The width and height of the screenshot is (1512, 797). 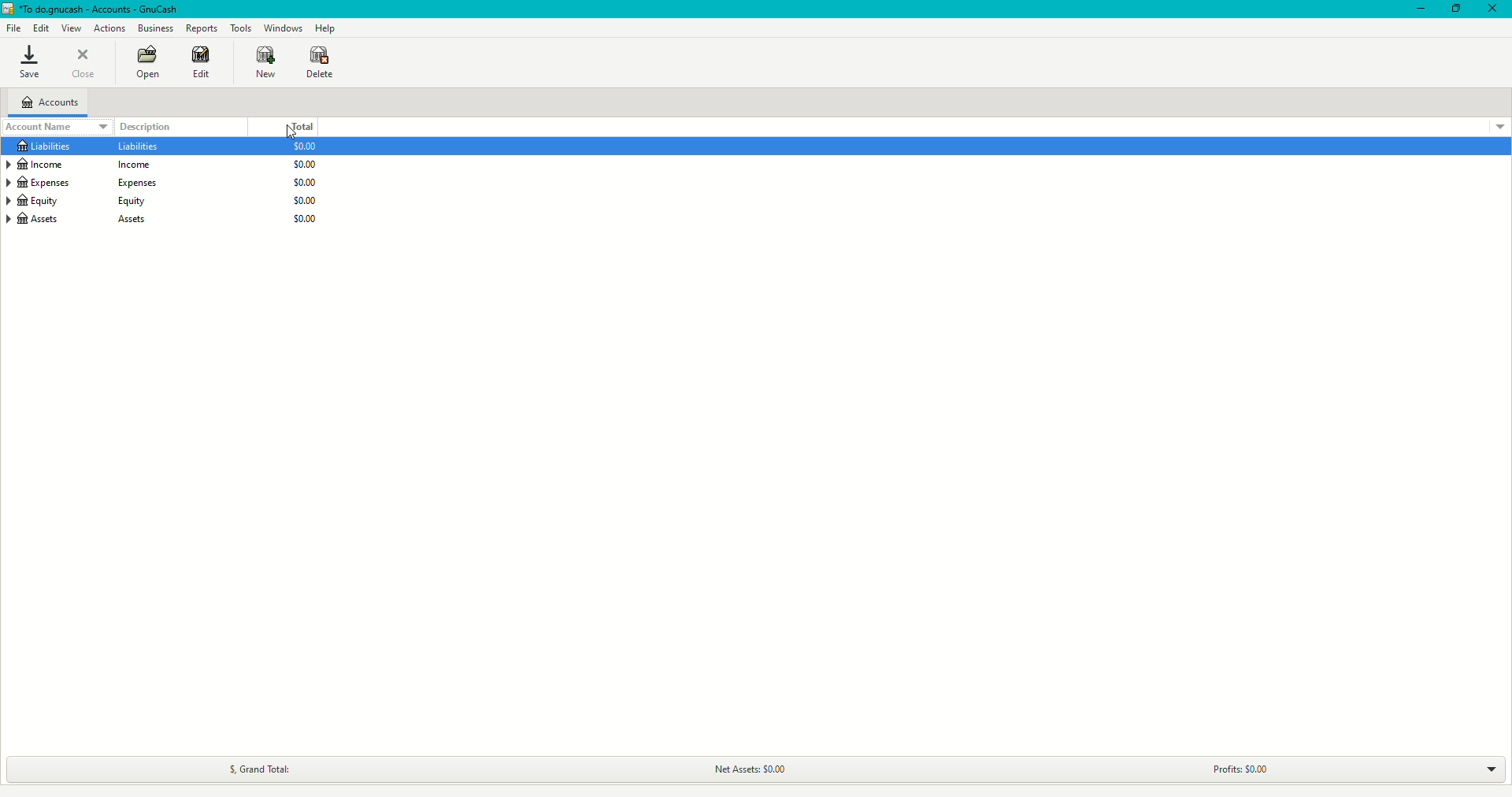 I want to click on Mew, so click(x=262, y=61).